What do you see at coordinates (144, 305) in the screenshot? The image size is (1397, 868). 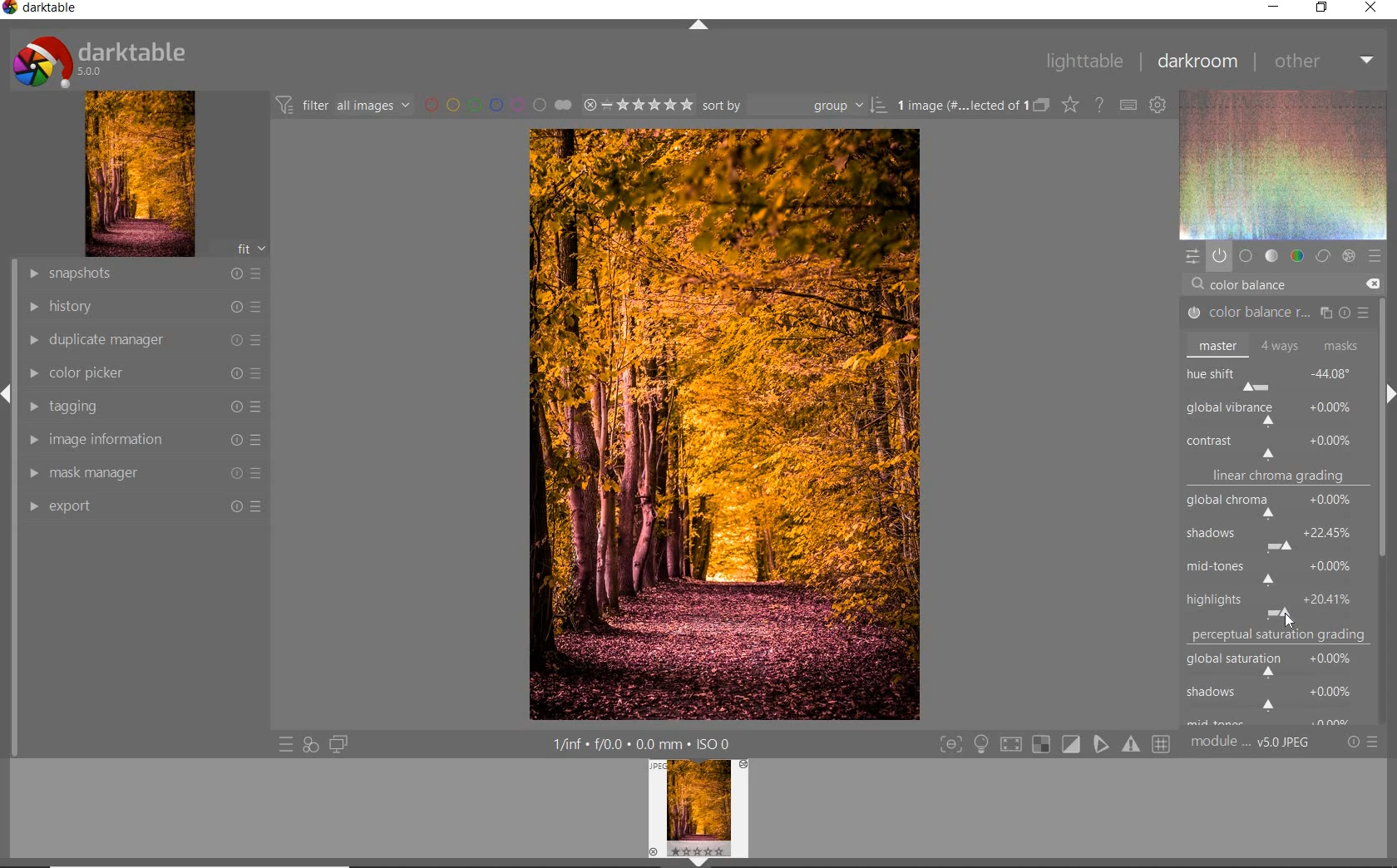 I see `history` at bounding box center [144, 305].